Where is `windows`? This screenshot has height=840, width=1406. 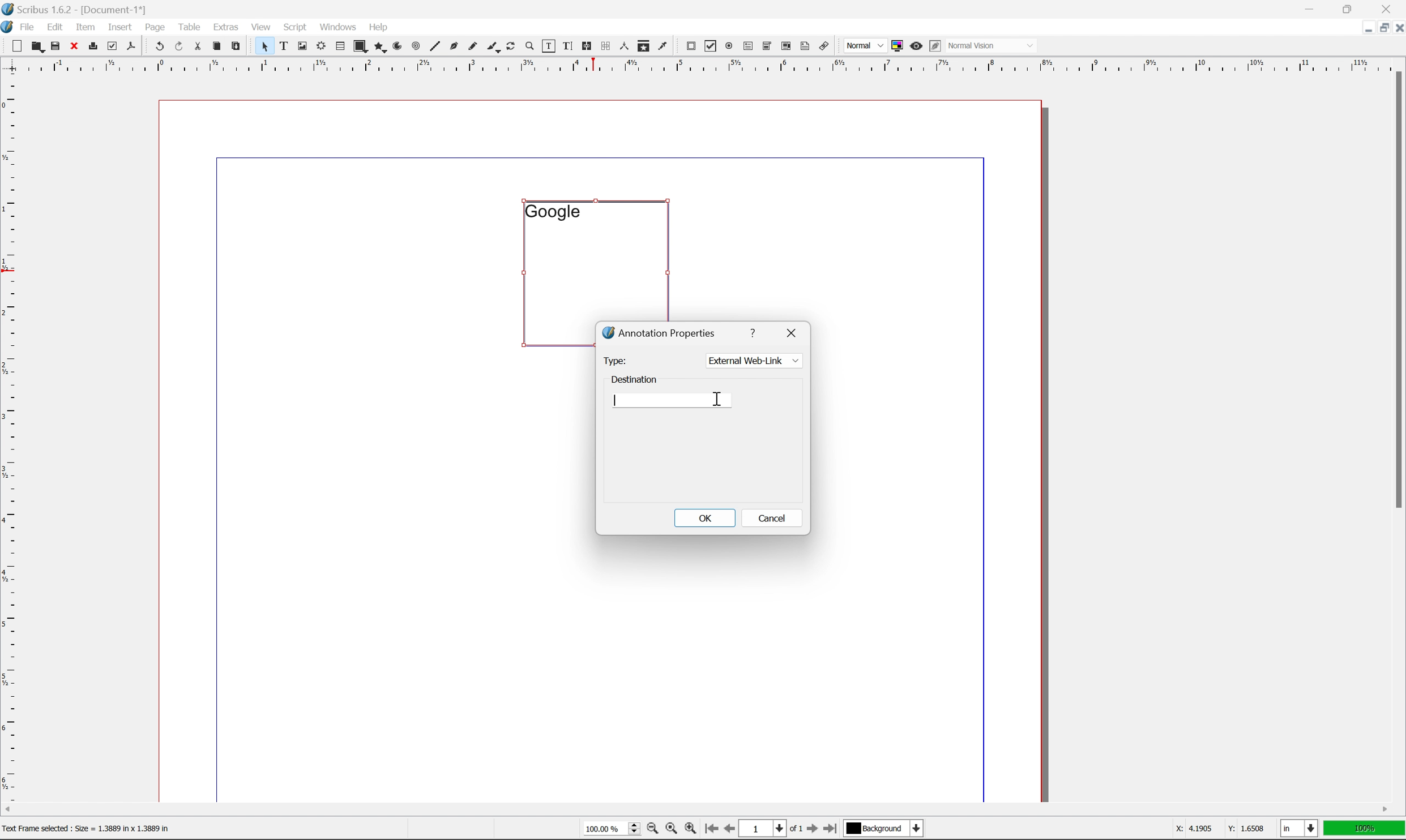 windows is located at coordinates (340, 26).